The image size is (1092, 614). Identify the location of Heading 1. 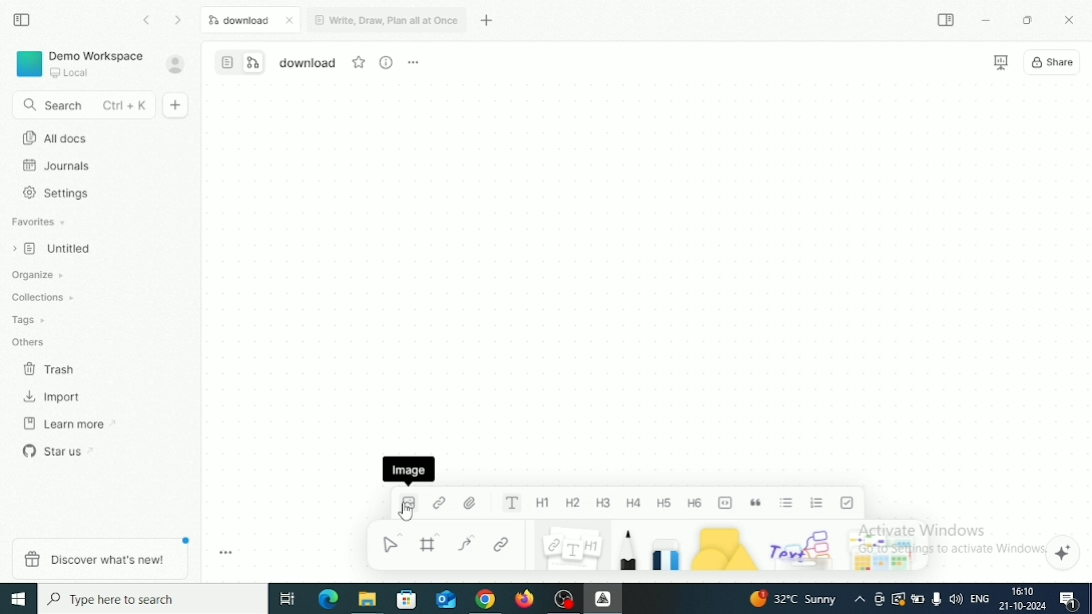
(543, 504).